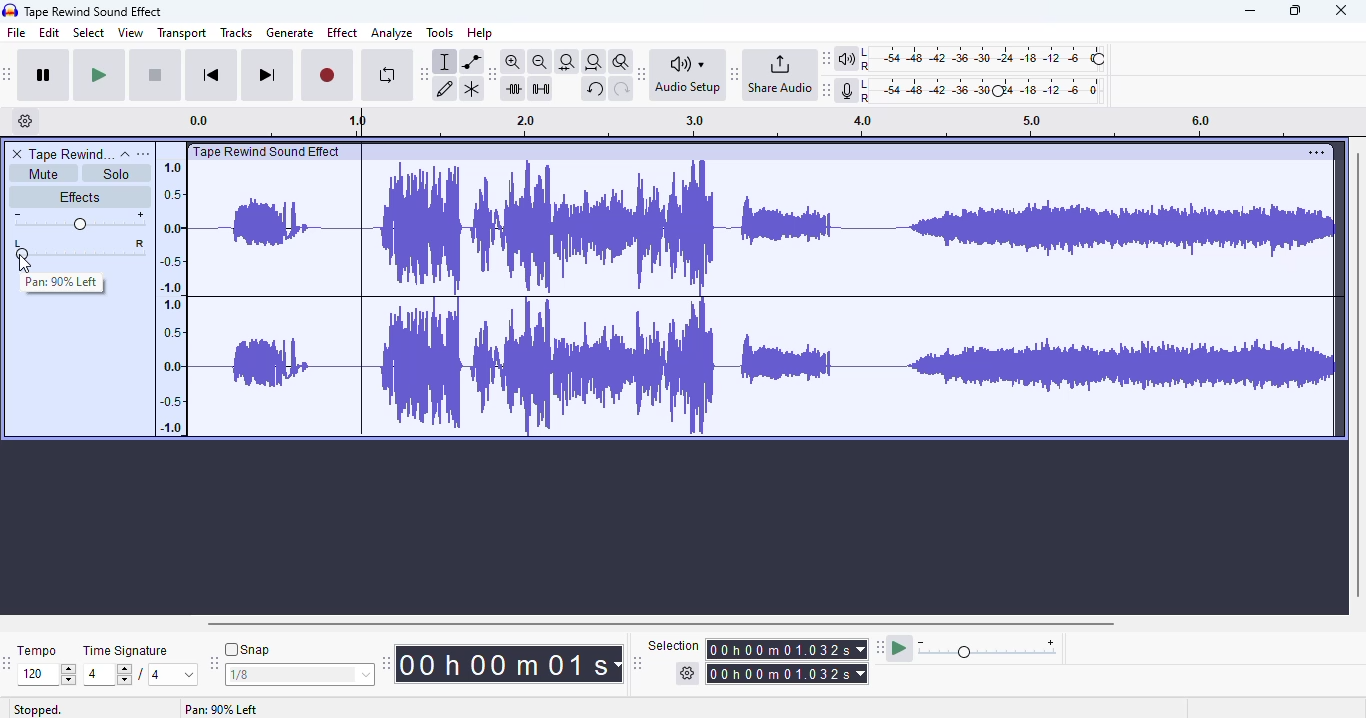 This screenshot has height=718, width=1366. Describe the element at coordinates (36, 123) in the screenshot. I see `settings` at that location.